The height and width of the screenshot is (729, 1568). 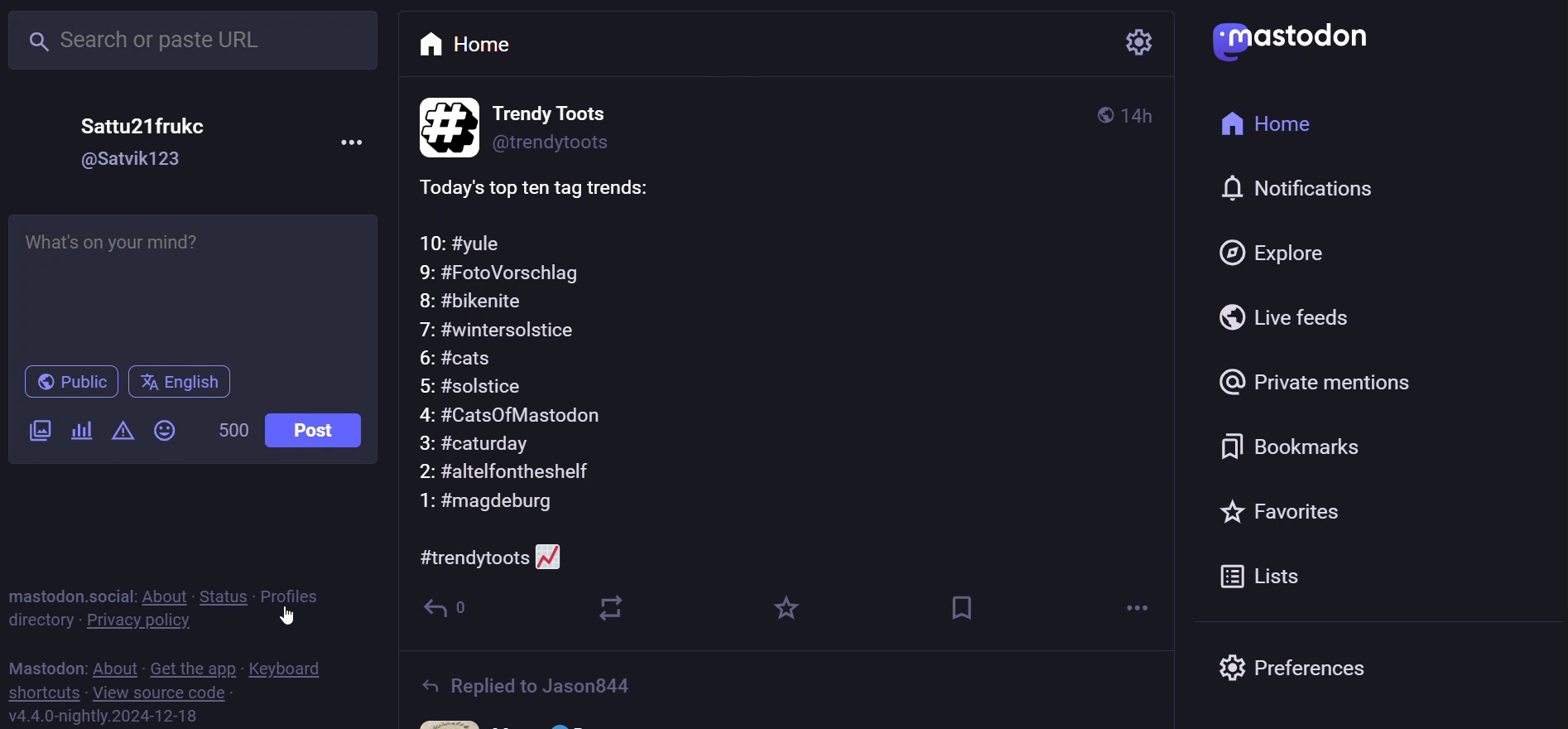 What do you see at coordinates (130, 717) in the screenshot?
I see `v4.4.0-nightly.2024-12-18` at bounding box center [130, 717].